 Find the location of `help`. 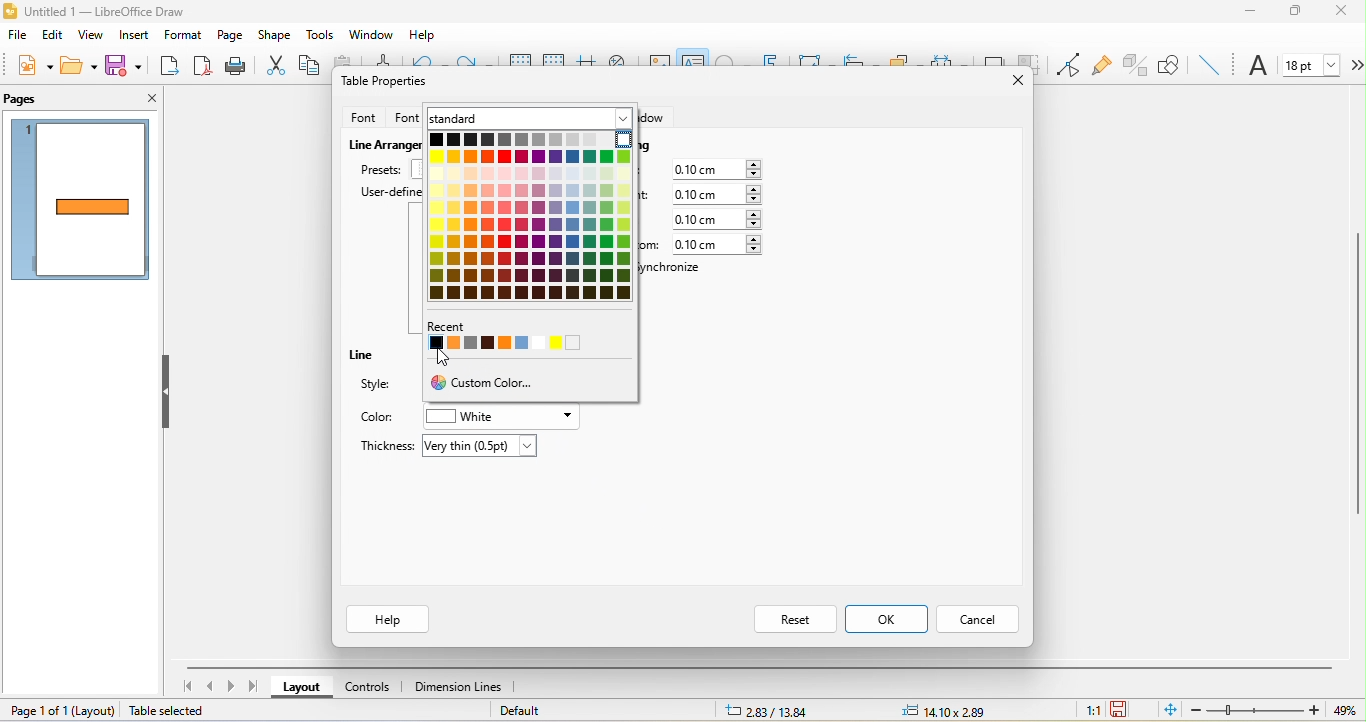

help is located at coordinates (427, 36).